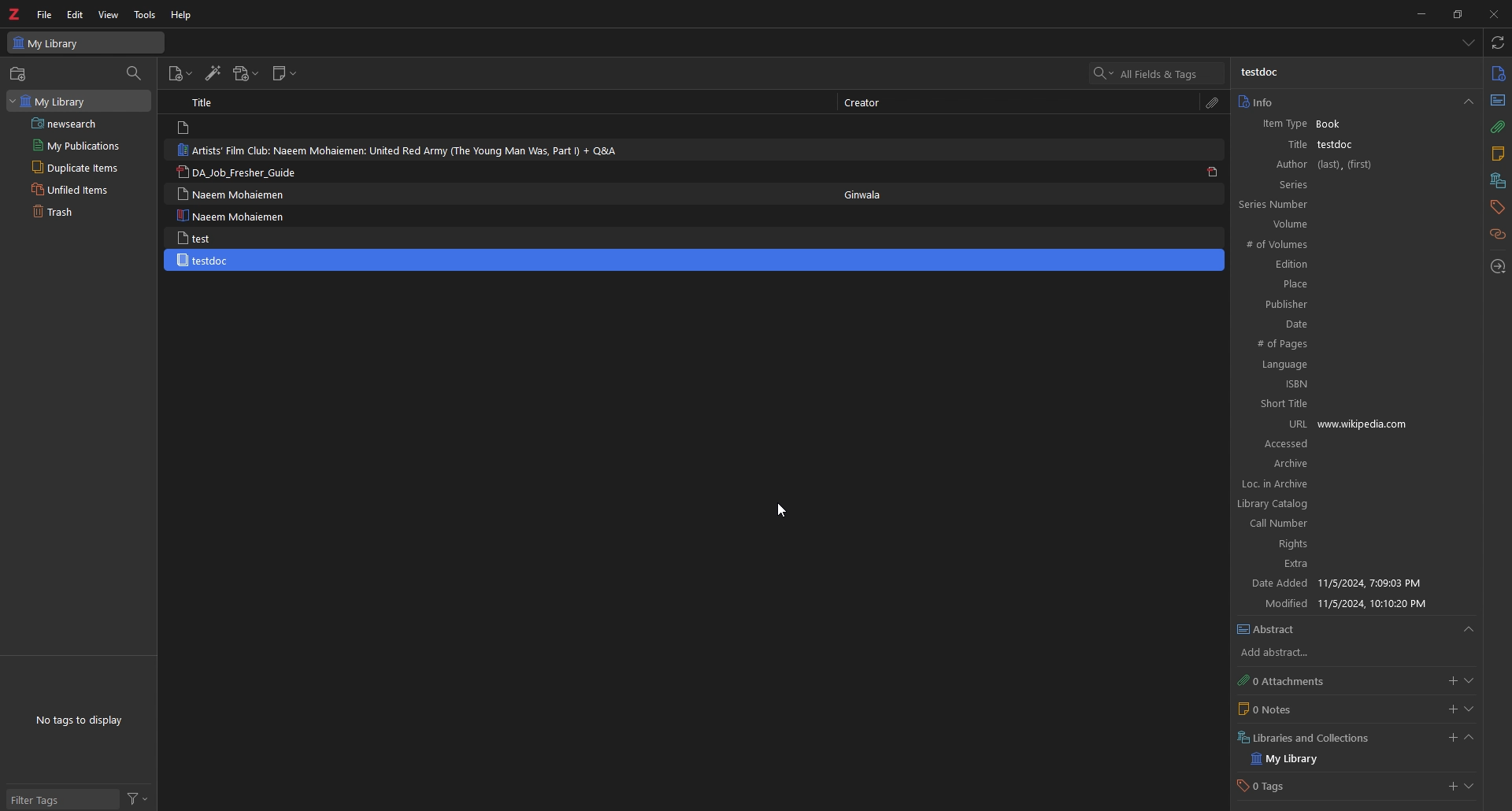  I want to click on test, so click(198, 238).